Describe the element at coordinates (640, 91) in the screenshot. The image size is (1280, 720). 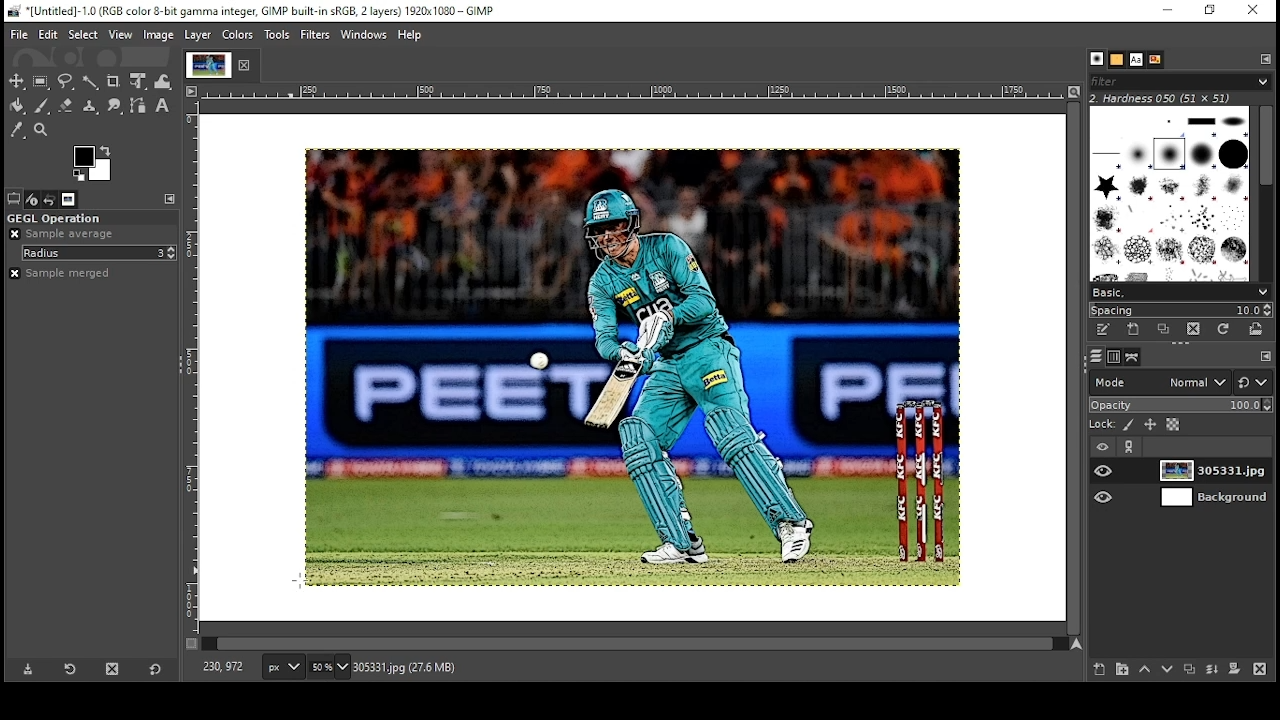
I see `horizontal scale` at that location.